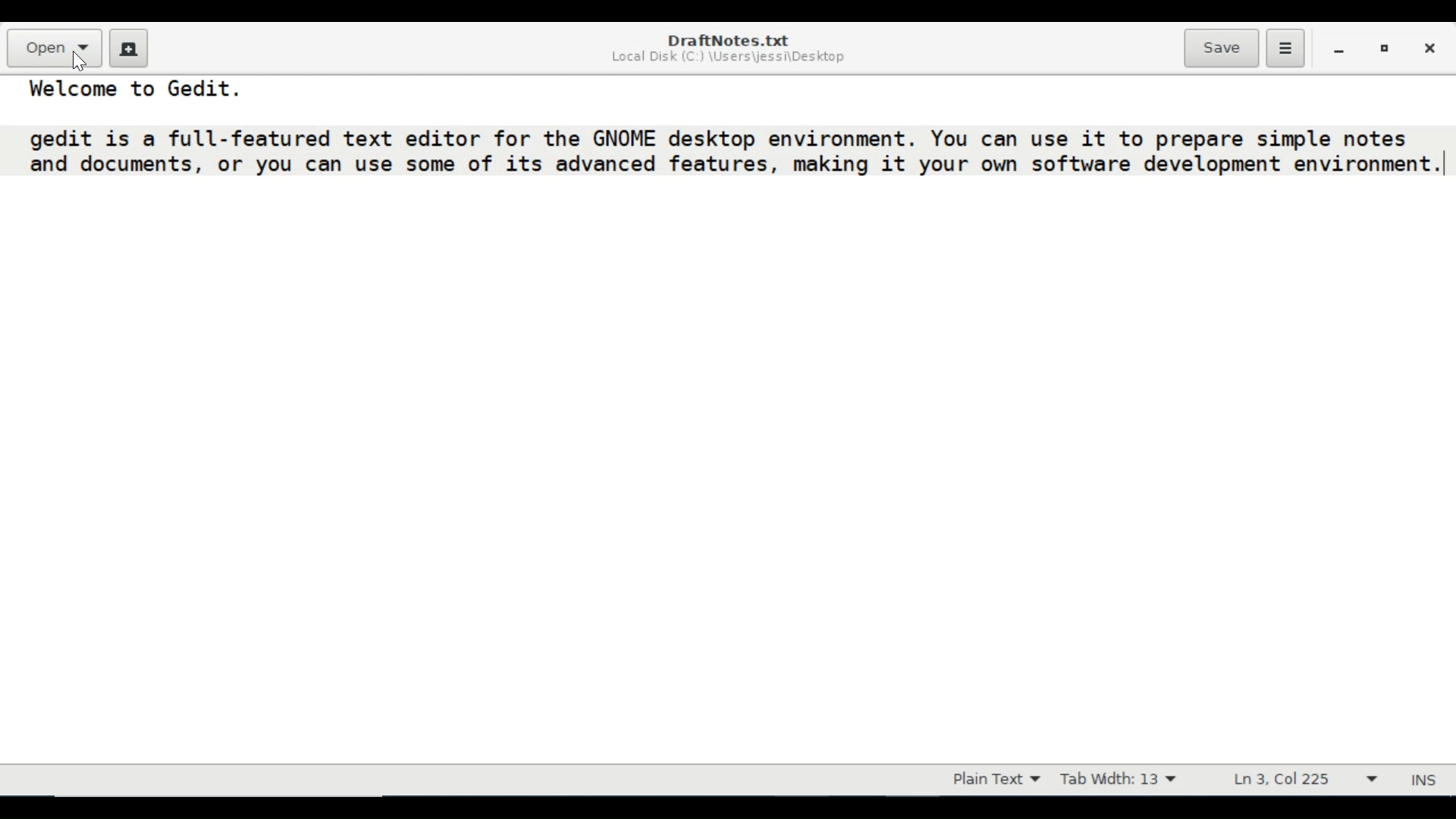 This screenshot has width=1456, height=819. What do you see at coordinates (1308, 780) in the screenshot?
I see `line & Column` at bounding box center [1308, 780].